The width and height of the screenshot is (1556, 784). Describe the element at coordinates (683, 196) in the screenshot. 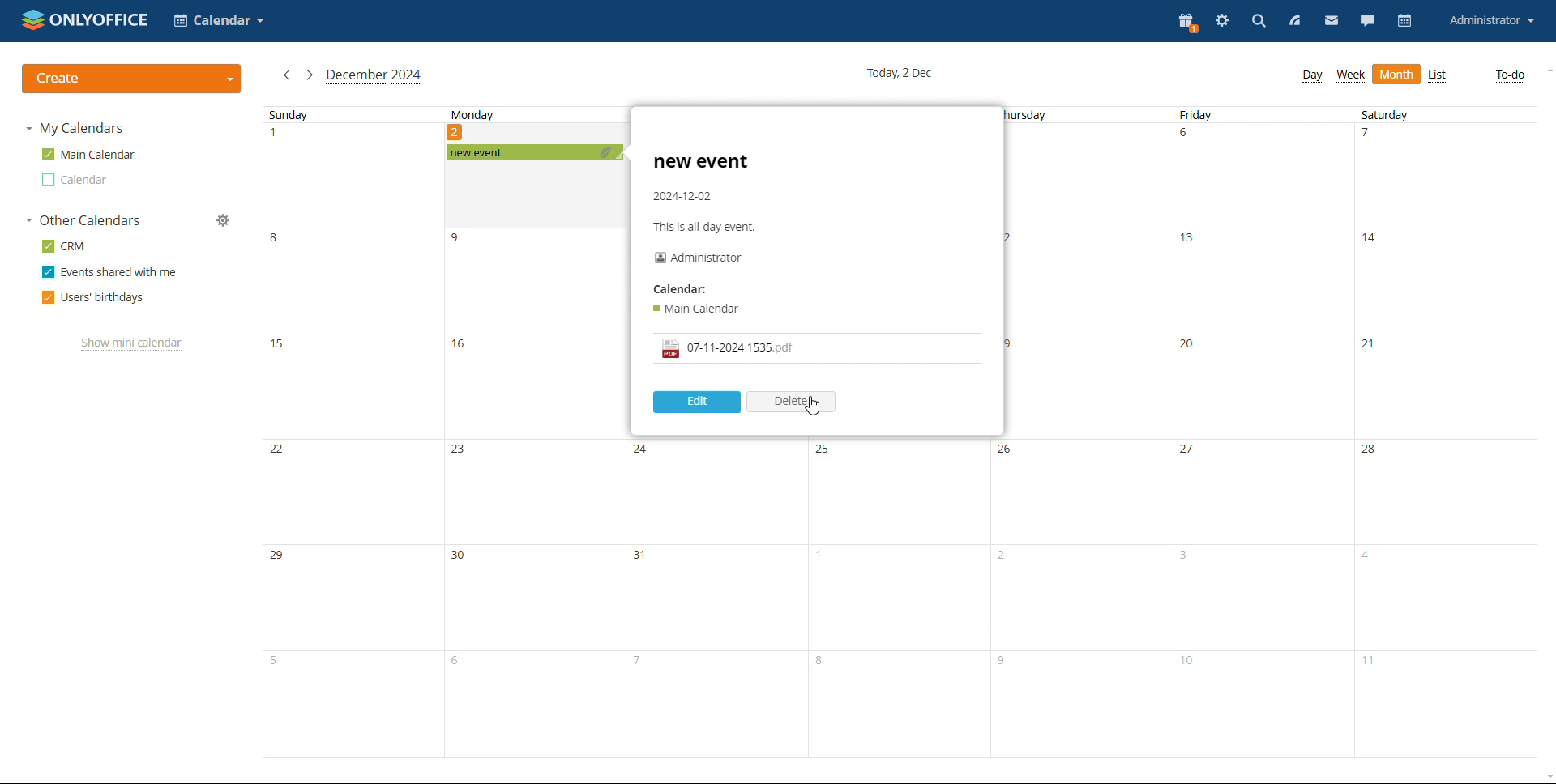

I see `2024-12-02` at that location.